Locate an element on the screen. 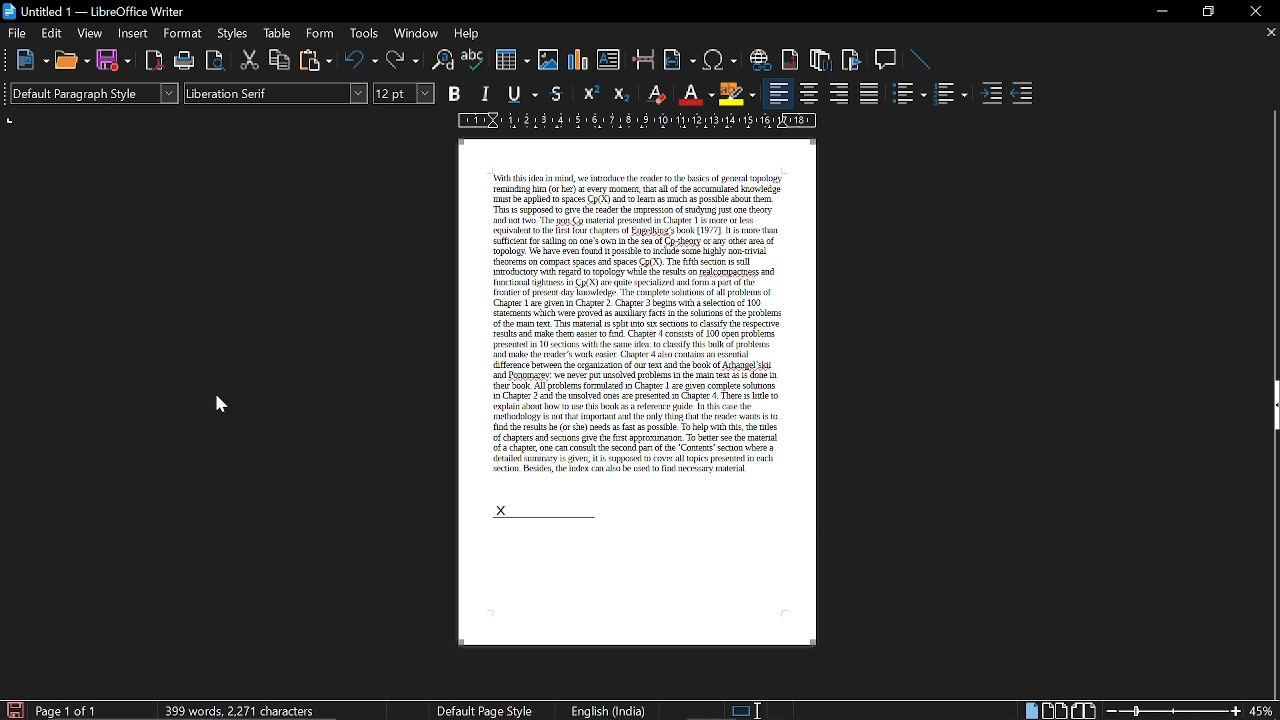  close tab is located at coordinates (1270, 34).